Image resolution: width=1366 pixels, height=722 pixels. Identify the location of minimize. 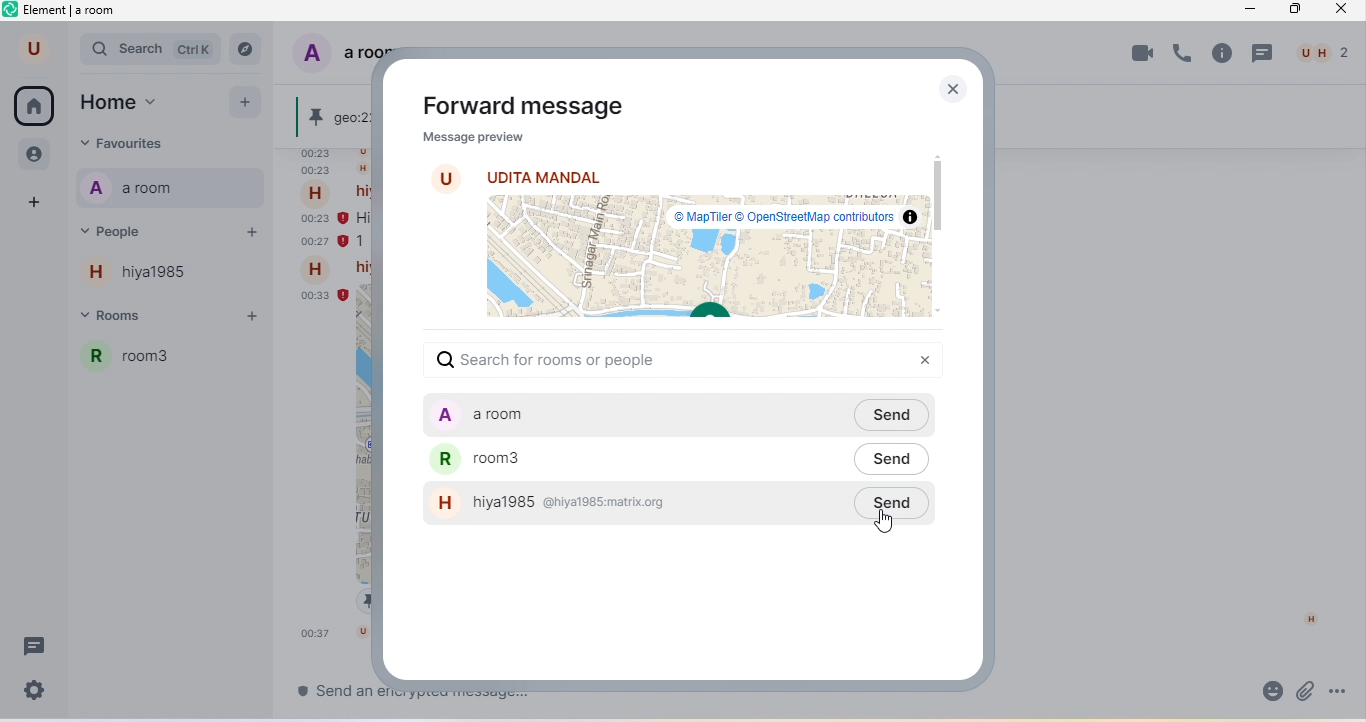
(1252, 12).